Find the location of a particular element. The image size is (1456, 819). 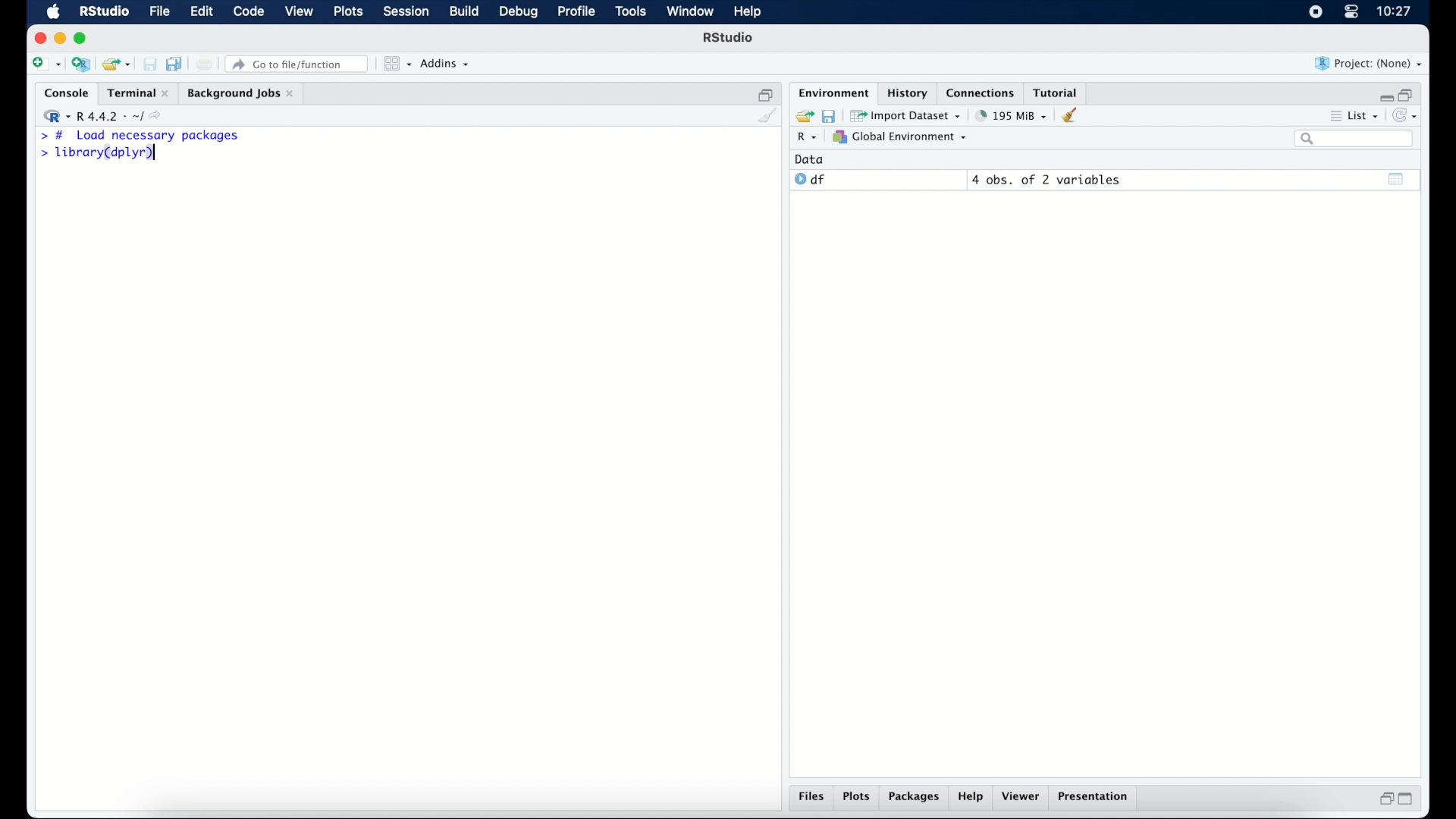

view is located at coordinates (300, 13).